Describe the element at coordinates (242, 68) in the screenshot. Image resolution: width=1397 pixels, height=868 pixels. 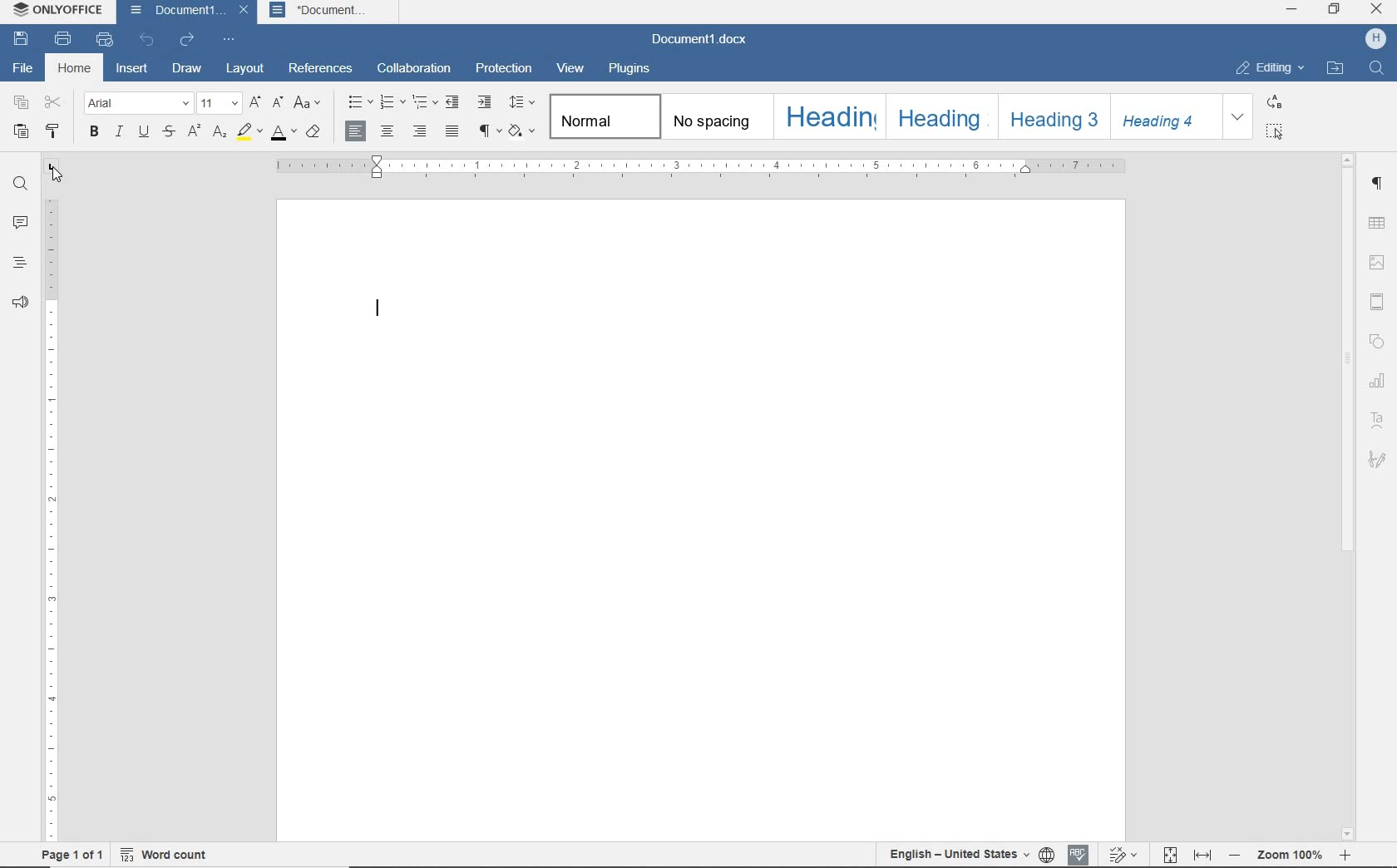
I see `LAYOUT` at that location.